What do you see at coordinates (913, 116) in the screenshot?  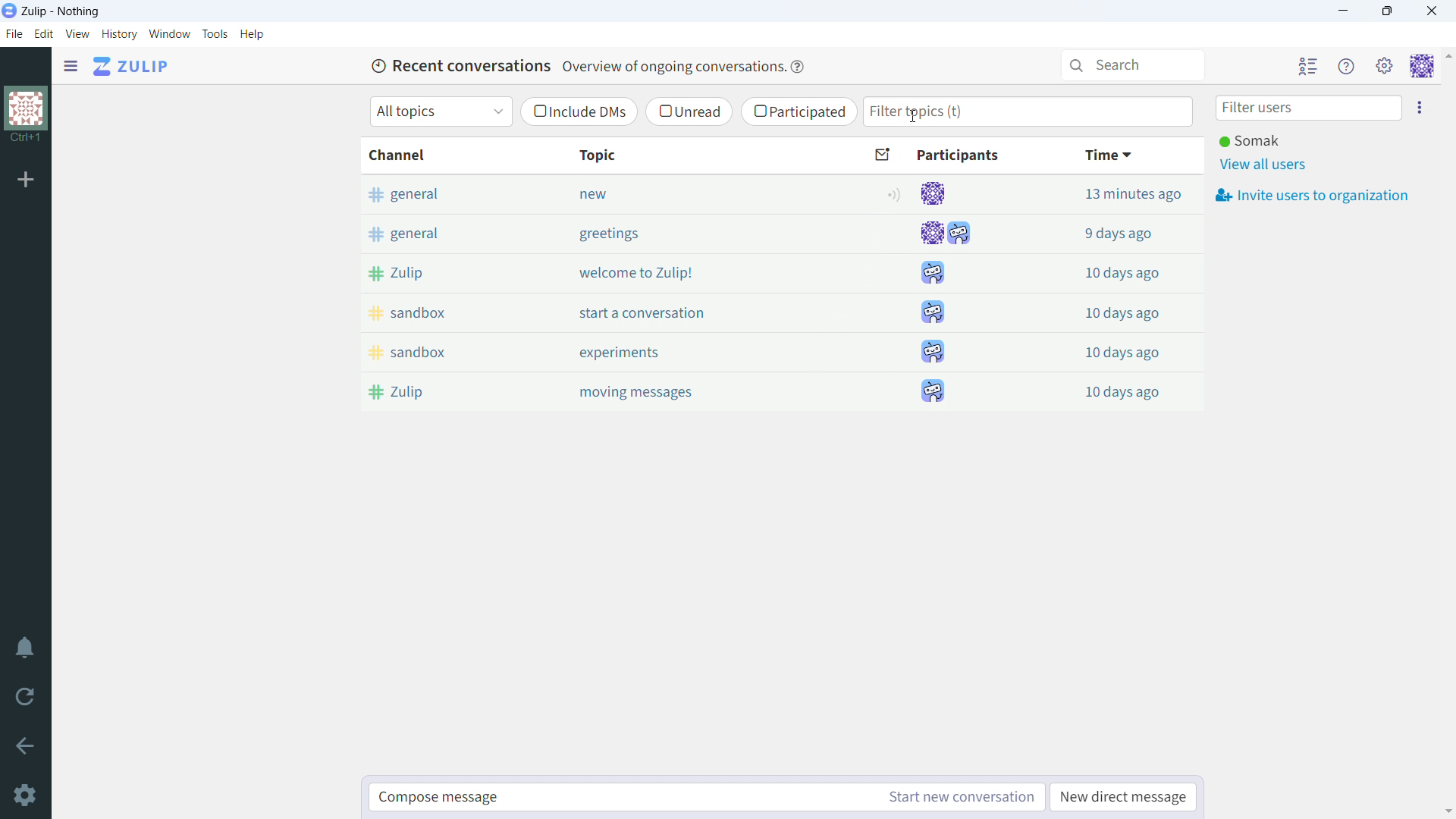 I see `cursor` at bounding box center [913, 116].